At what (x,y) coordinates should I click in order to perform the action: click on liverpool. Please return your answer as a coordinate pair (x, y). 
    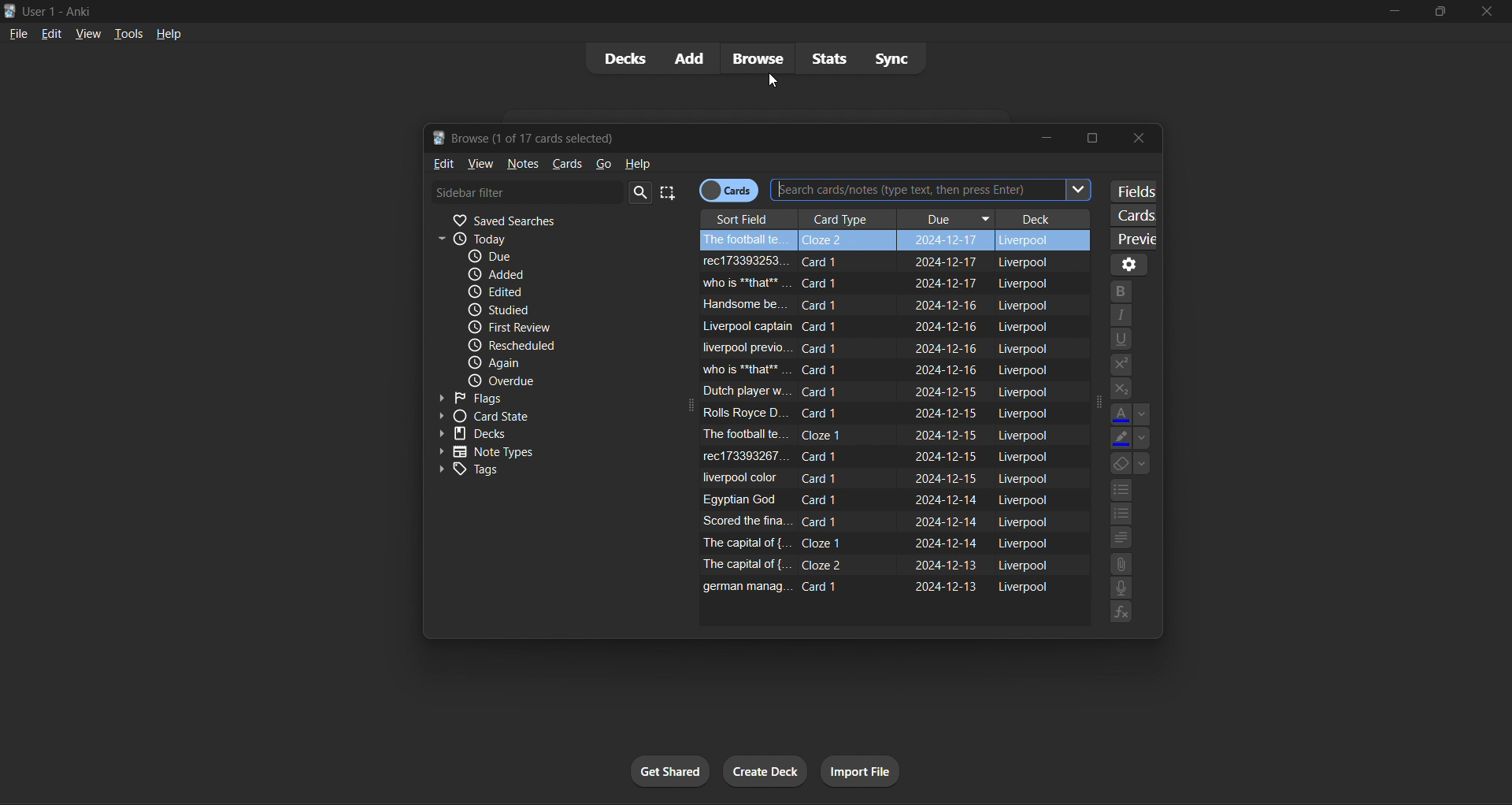
    Looking at the image, I should click on (1030, 521).